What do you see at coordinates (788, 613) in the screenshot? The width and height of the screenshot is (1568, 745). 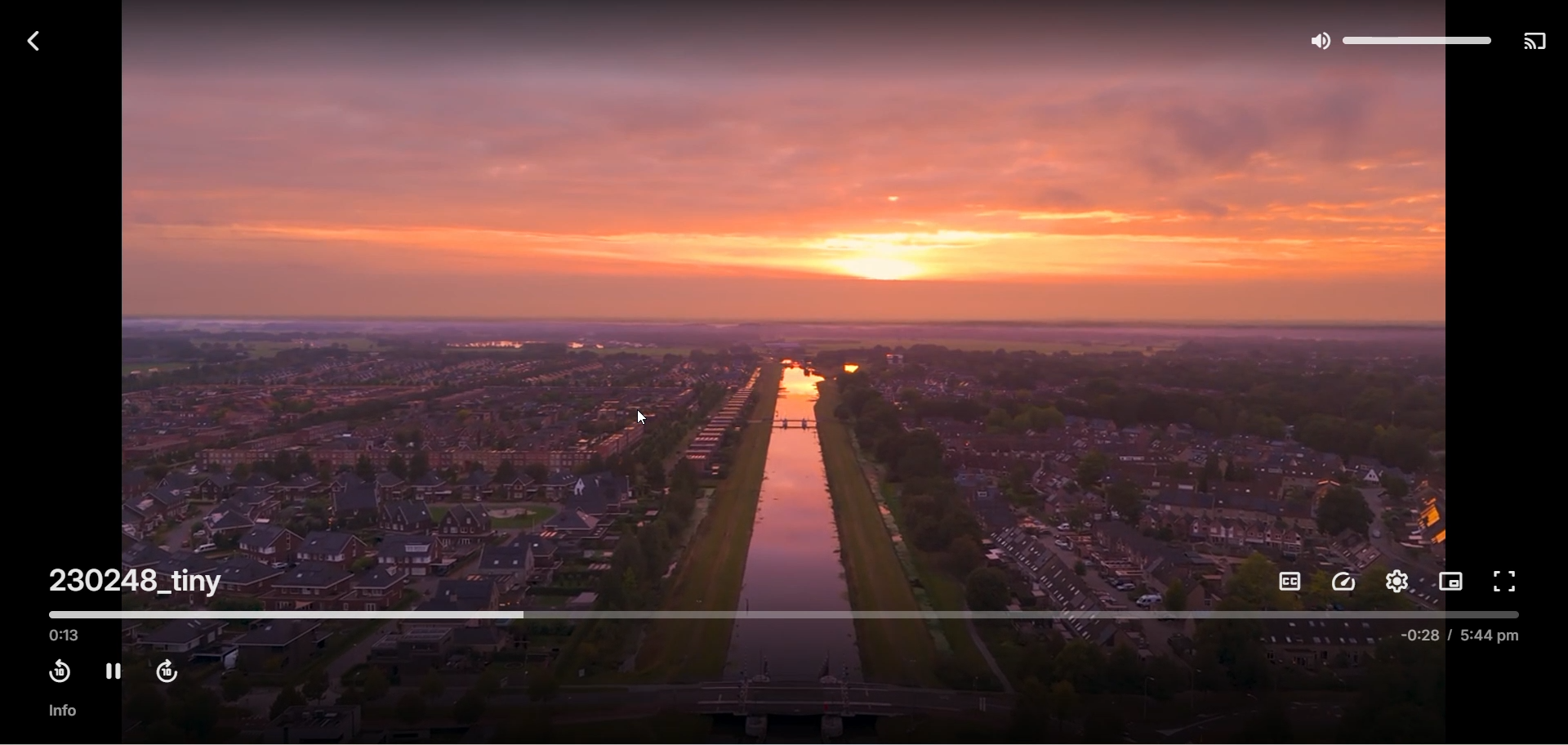 I see `timeline` at bounding box center [788, 613].